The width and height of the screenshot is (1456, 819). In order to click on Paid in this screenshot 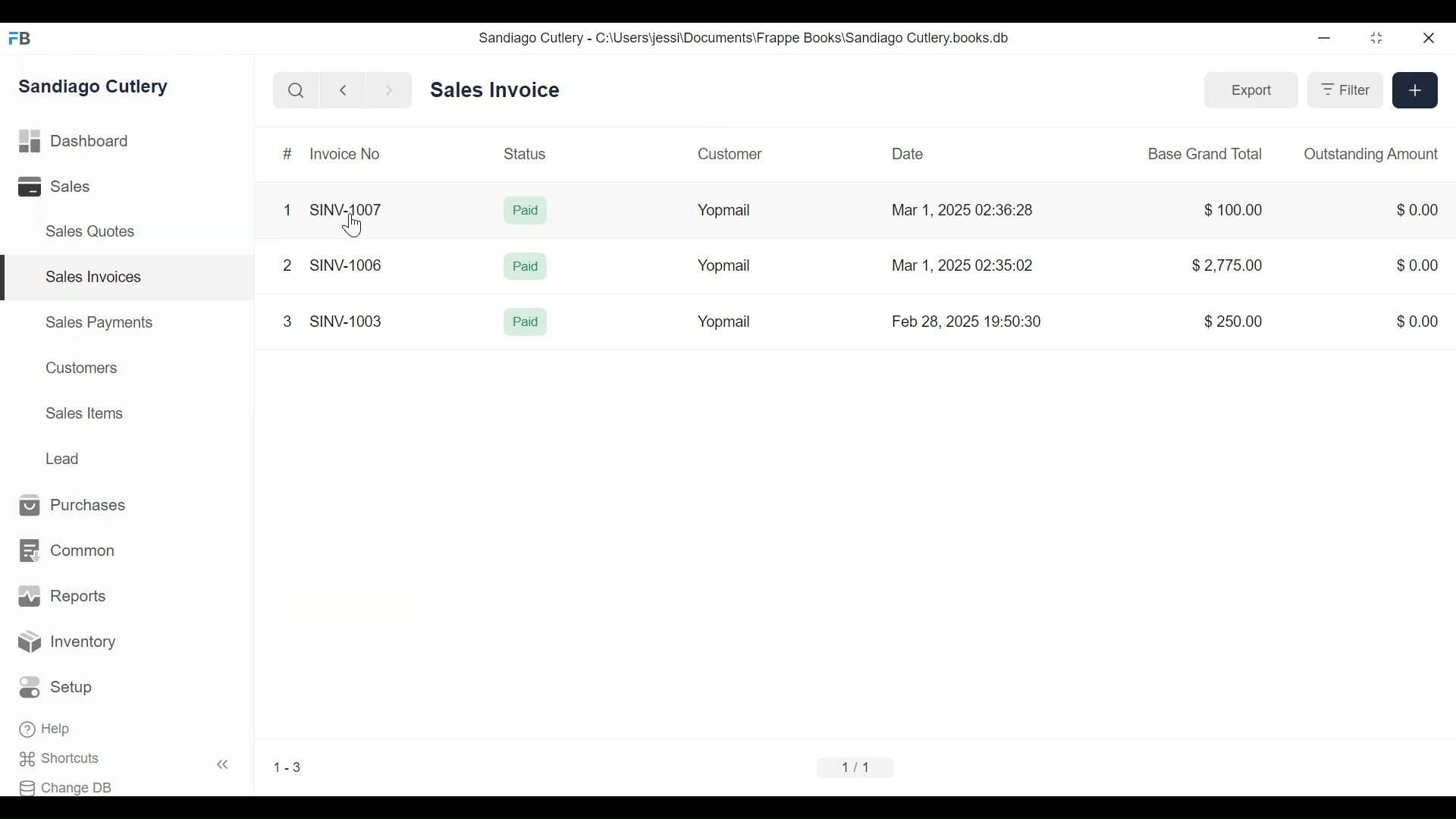, I will do `click(526, 322)`.